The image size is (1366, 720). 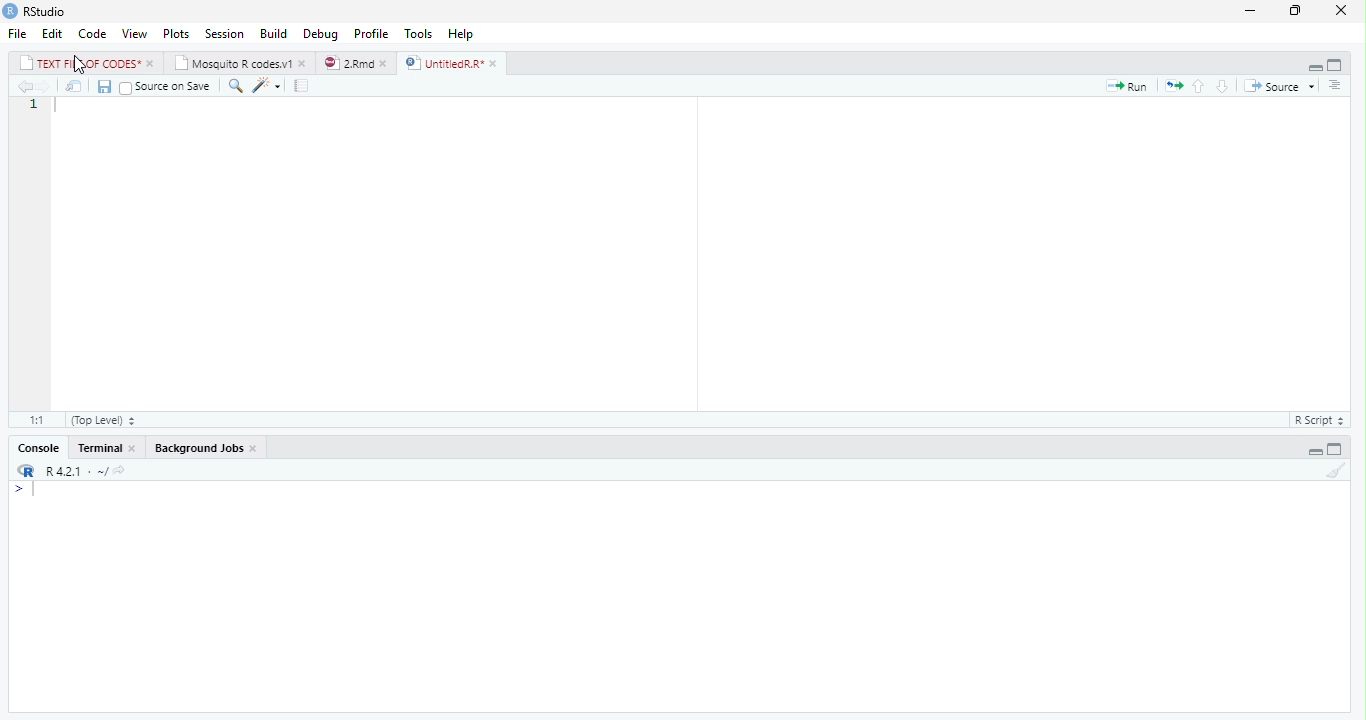 What do you see at coordinates (22, 86) in the screenshot?
I see `Go to previous location` at bounding box center [22, 86].